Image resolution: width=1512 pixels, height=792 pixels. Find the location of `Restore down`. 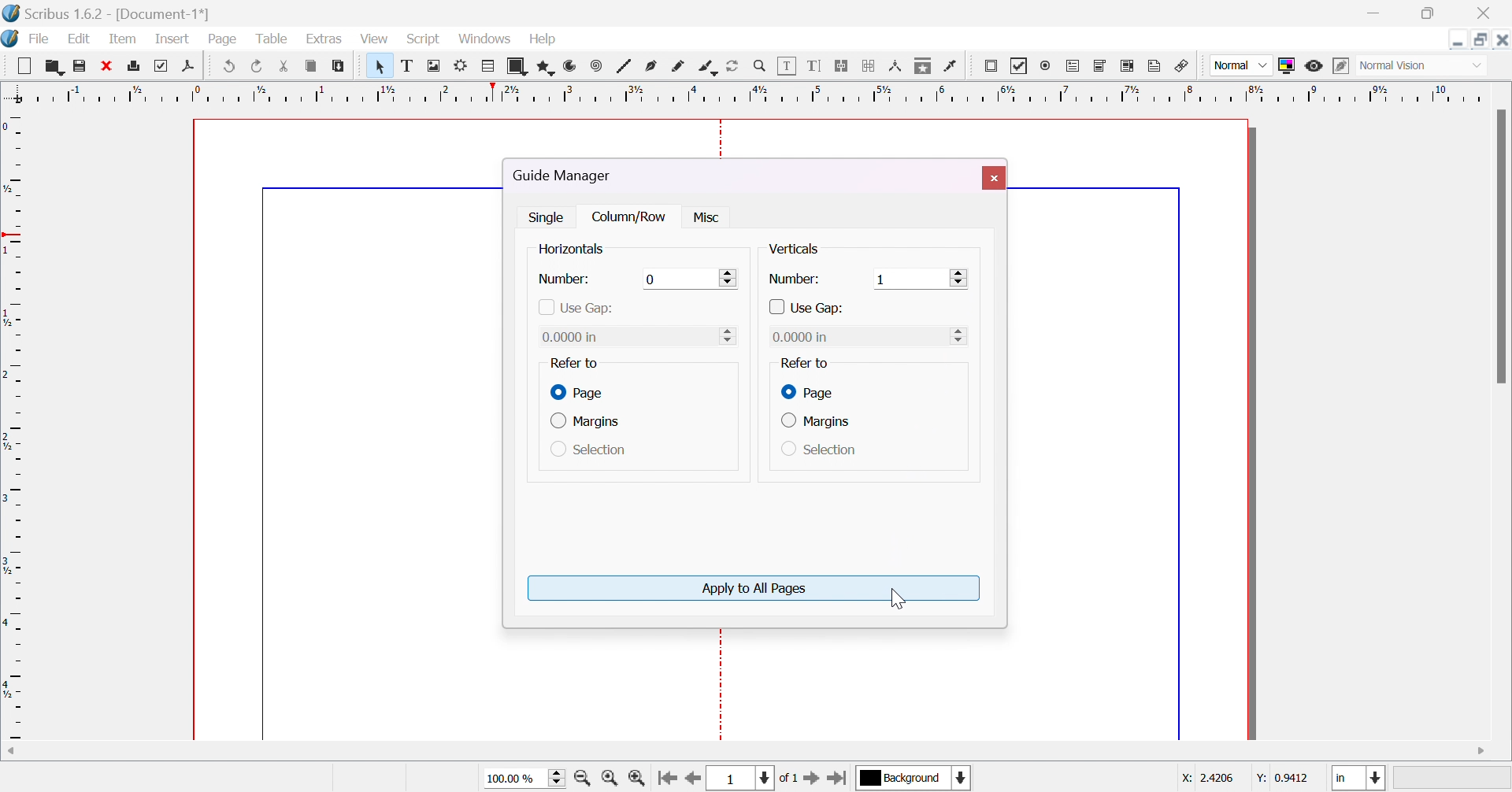

Restore down is located at coordinates (1482, 39).